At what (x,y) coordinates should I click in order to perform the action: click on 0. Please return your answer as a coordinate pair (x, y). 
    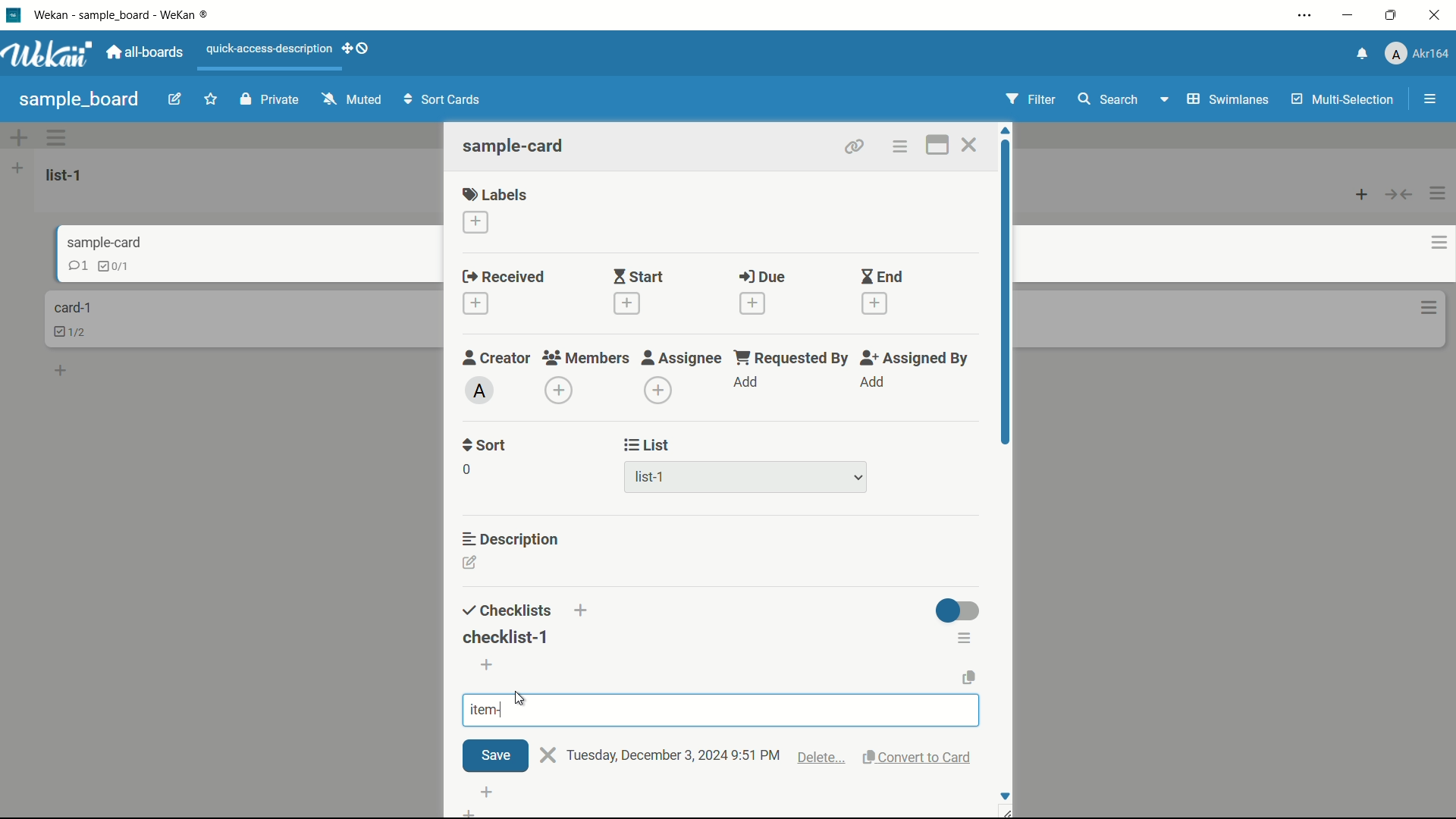
    Looking at the image, I should click on (466, 469).